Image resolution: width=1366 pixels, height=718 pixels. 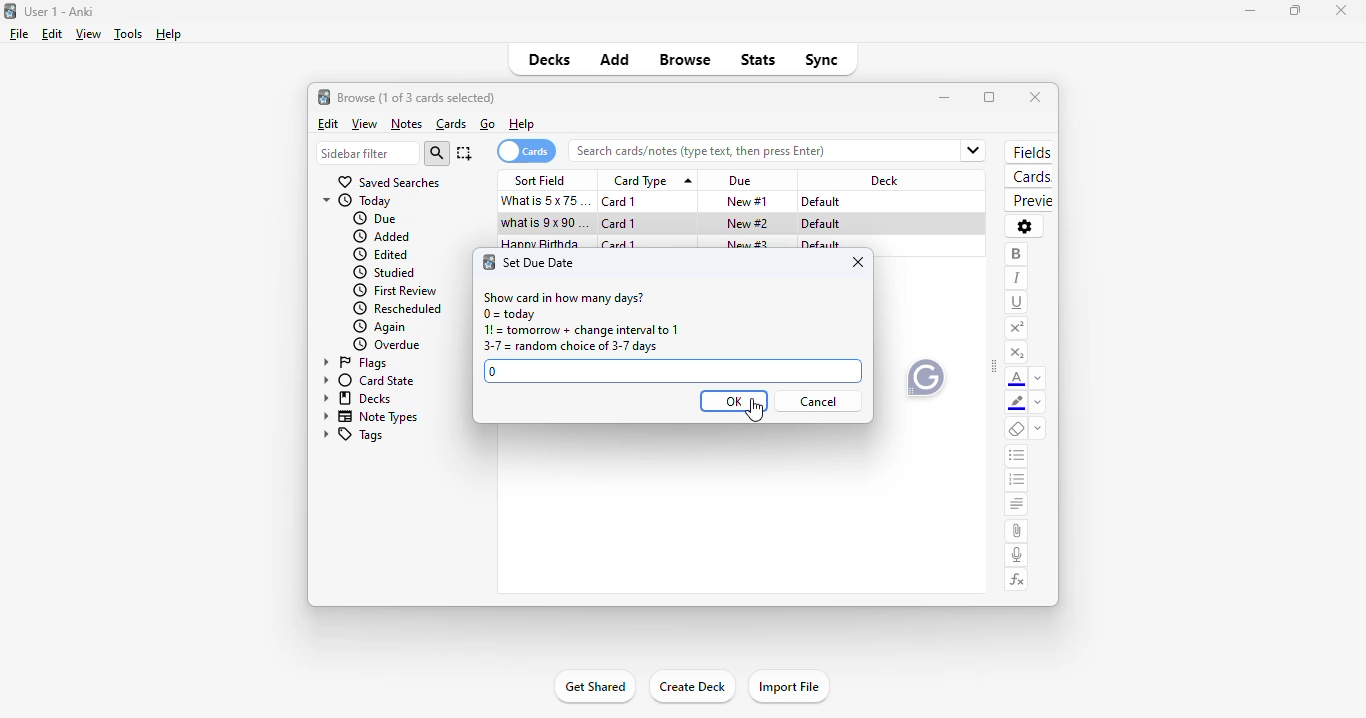 I want to click on toggle sidebar, so click(x=994, y=366).